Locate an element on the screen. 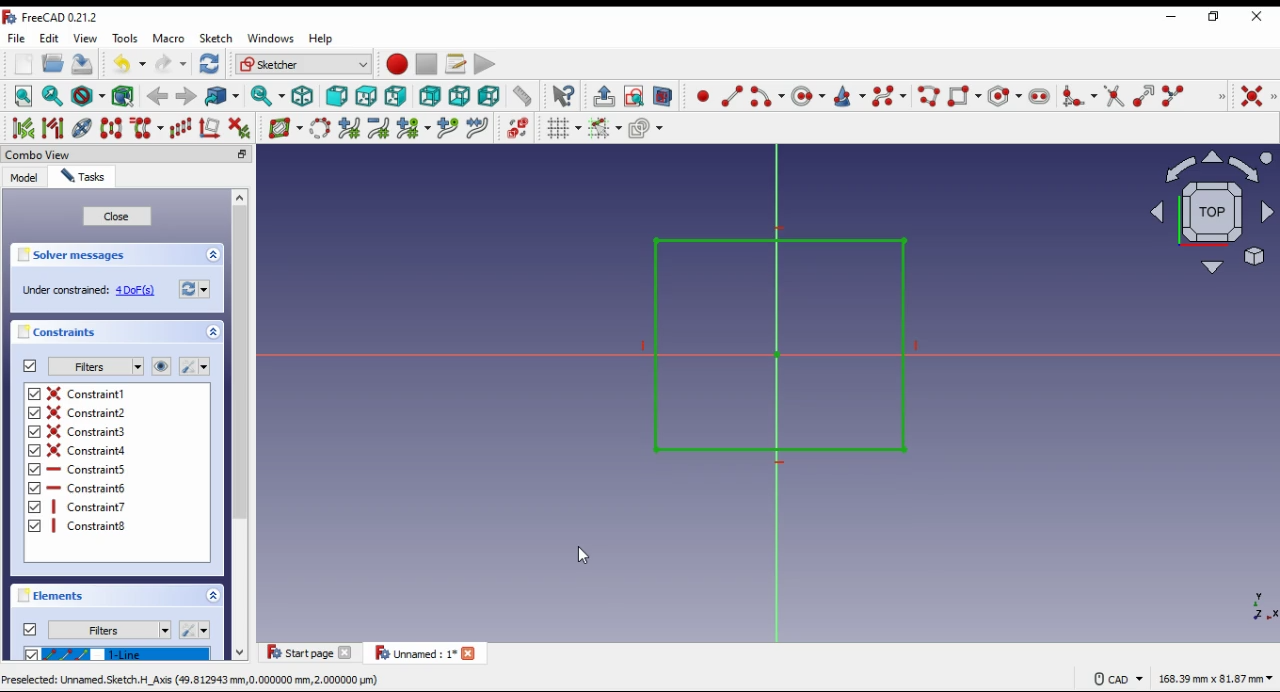  on/off constraint 5 is located at coordinates (90, 469).